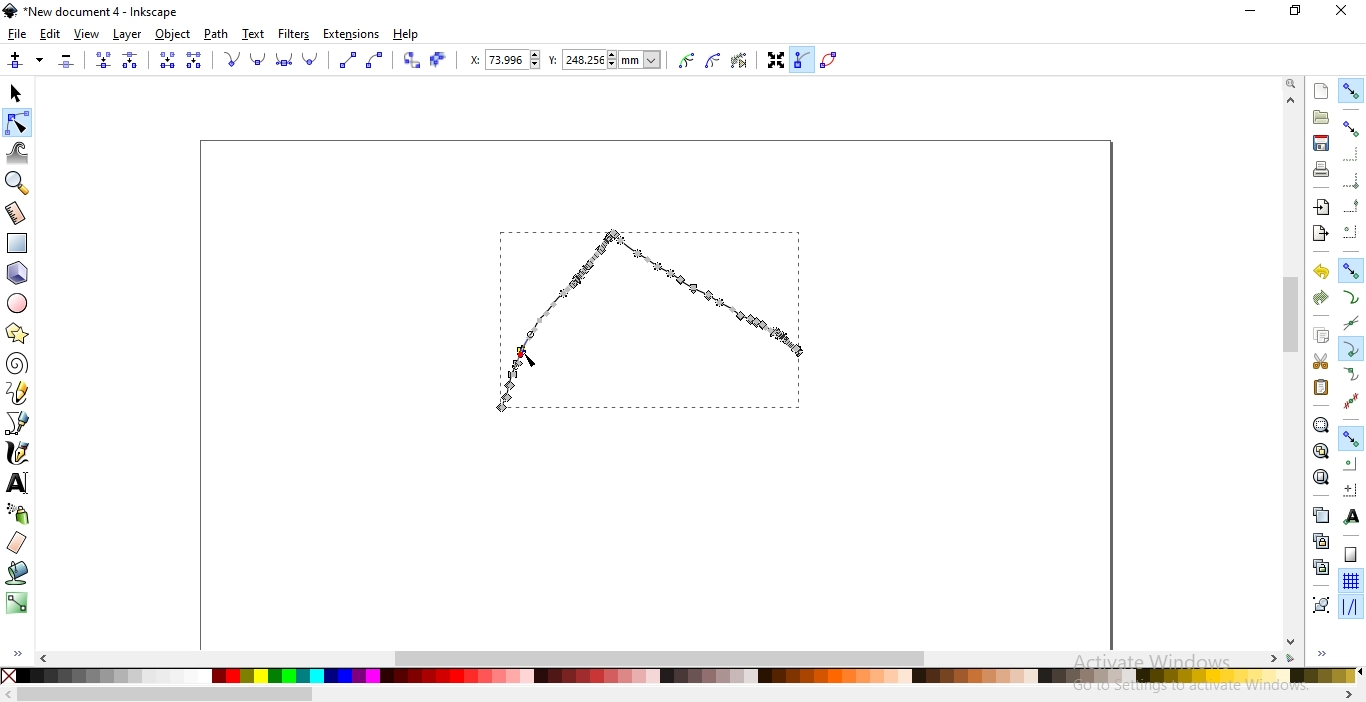  I want to click on snap midpointsof bounding boxes edges, so click(1351, 206).